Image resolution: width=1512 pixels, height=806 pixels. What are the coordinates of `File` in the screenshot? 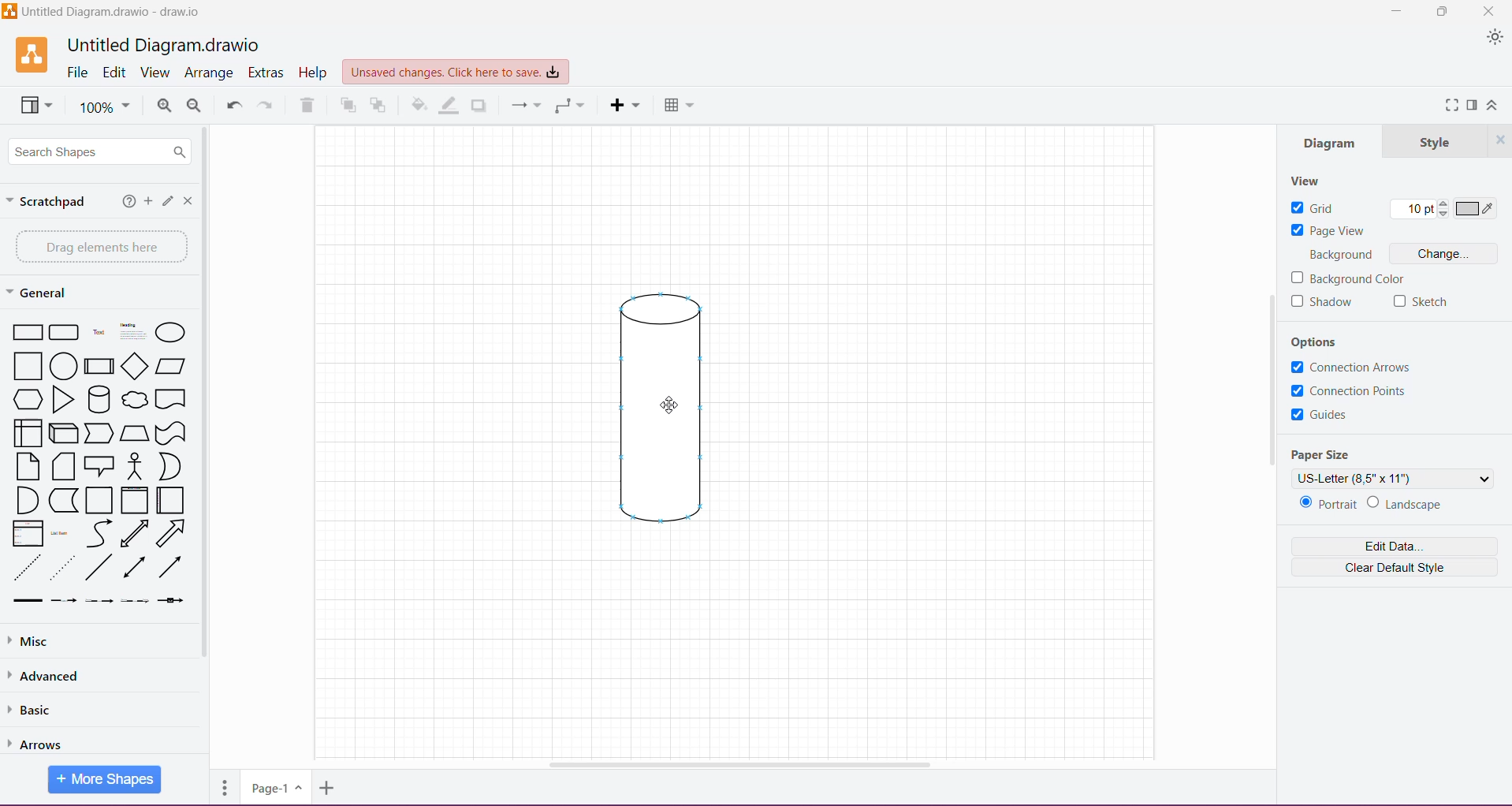 It's located at (78, 73).